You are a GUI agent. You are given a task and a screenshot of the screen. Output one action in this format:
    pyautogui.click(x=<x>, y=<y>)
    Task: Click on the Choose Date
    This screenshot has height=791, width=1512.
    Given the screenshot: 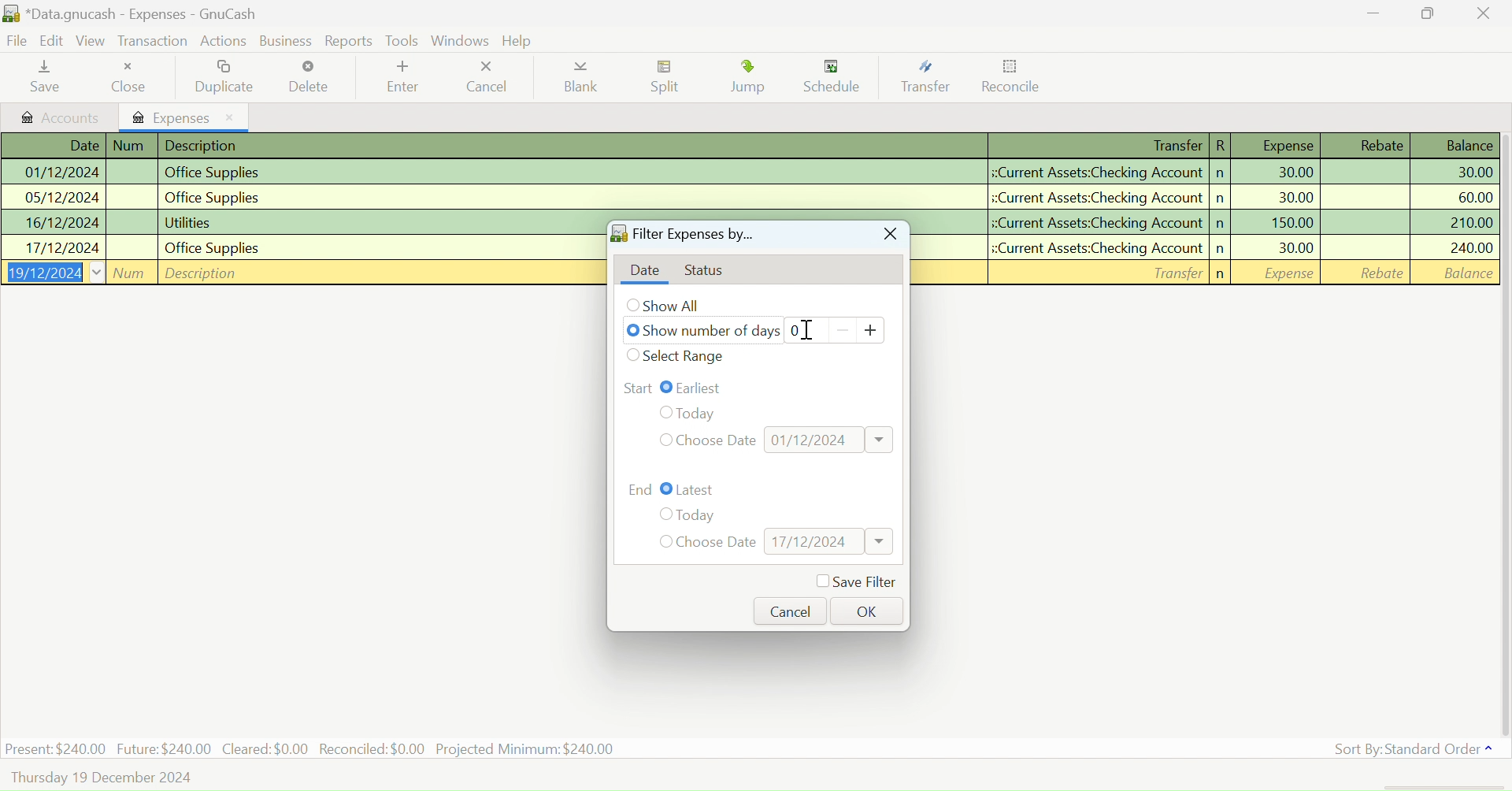 What is the action you would take?
    pyautogui.click(x=717, y=543)
    